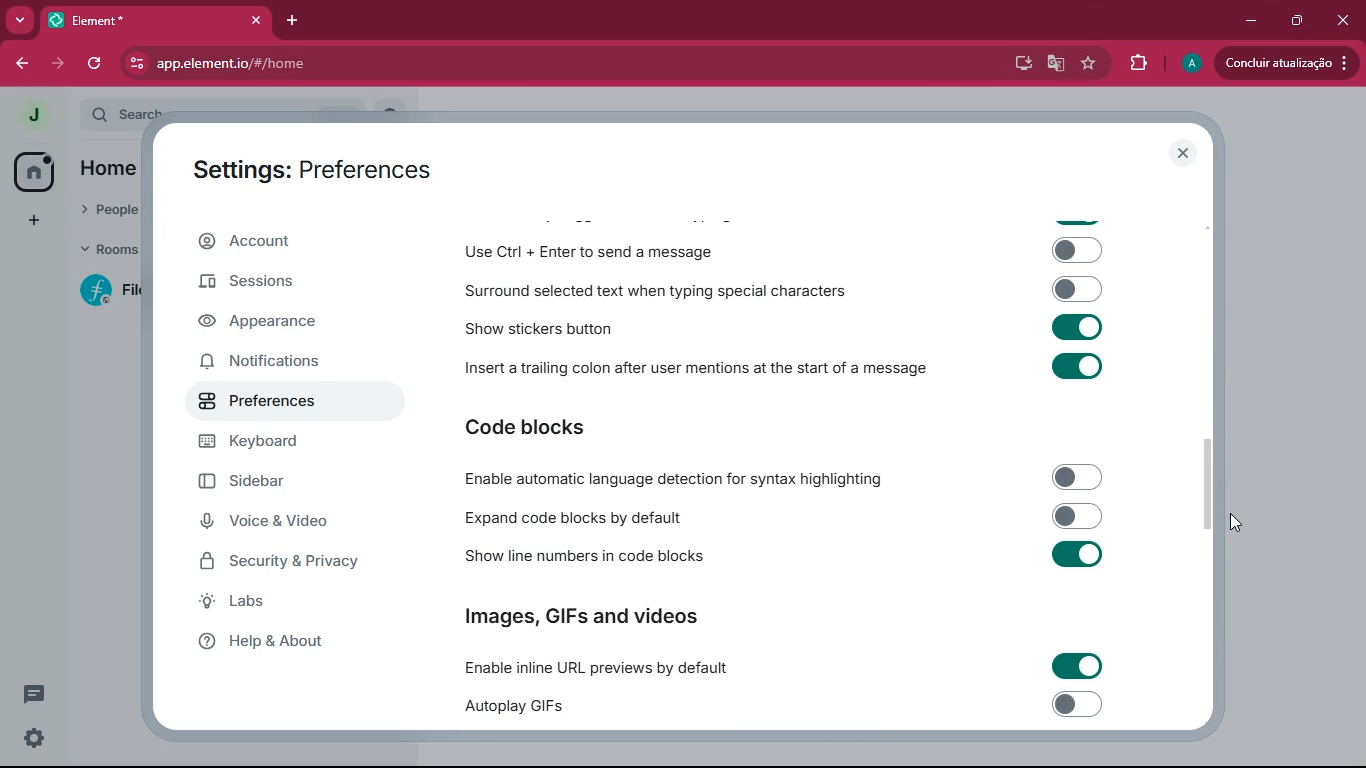 Image resolution: width=1366 pixels, height=768 pixels. Describe the element at coordinates (278, 482) in the screenshot. I see `sidebar` at that location.